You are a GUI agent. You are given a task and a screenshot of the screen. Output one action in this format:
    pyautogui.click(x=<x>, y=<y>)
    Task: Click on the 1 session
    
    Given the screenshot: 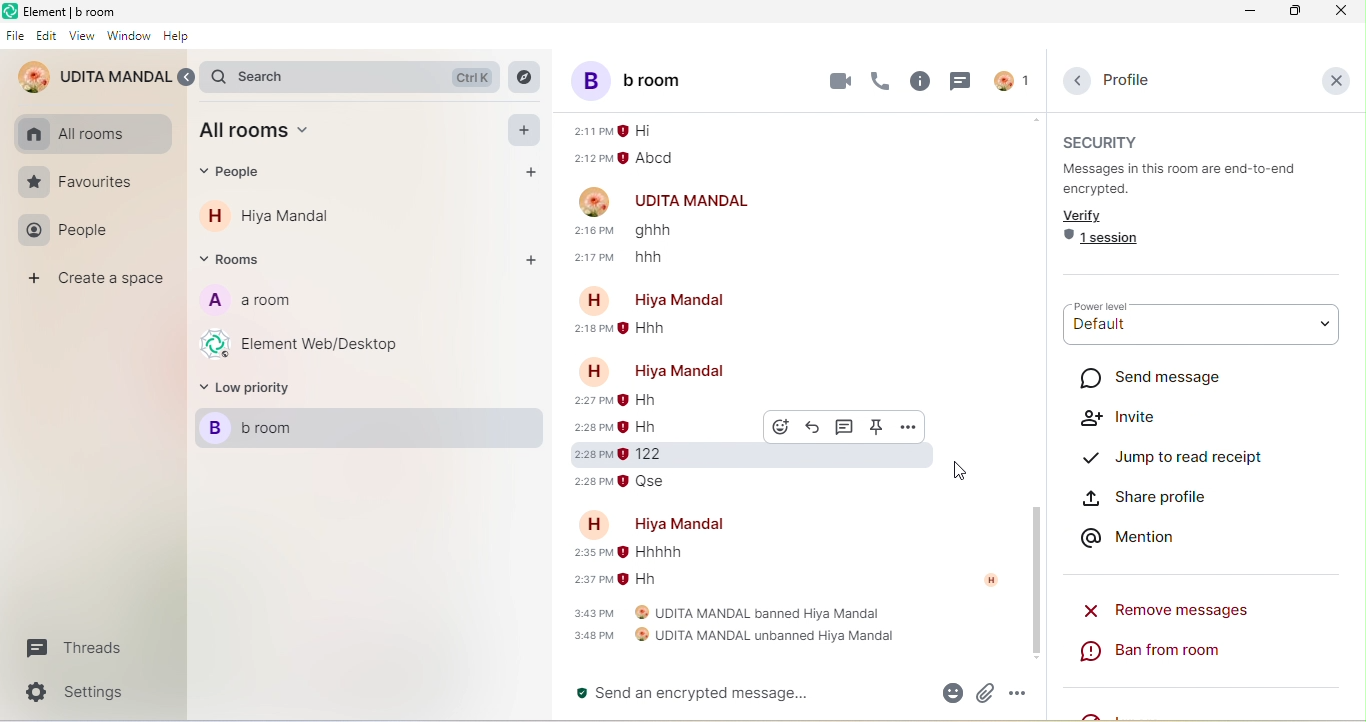 What is the action you would take?
    pyautogui.click(x=1105, y=242)
    